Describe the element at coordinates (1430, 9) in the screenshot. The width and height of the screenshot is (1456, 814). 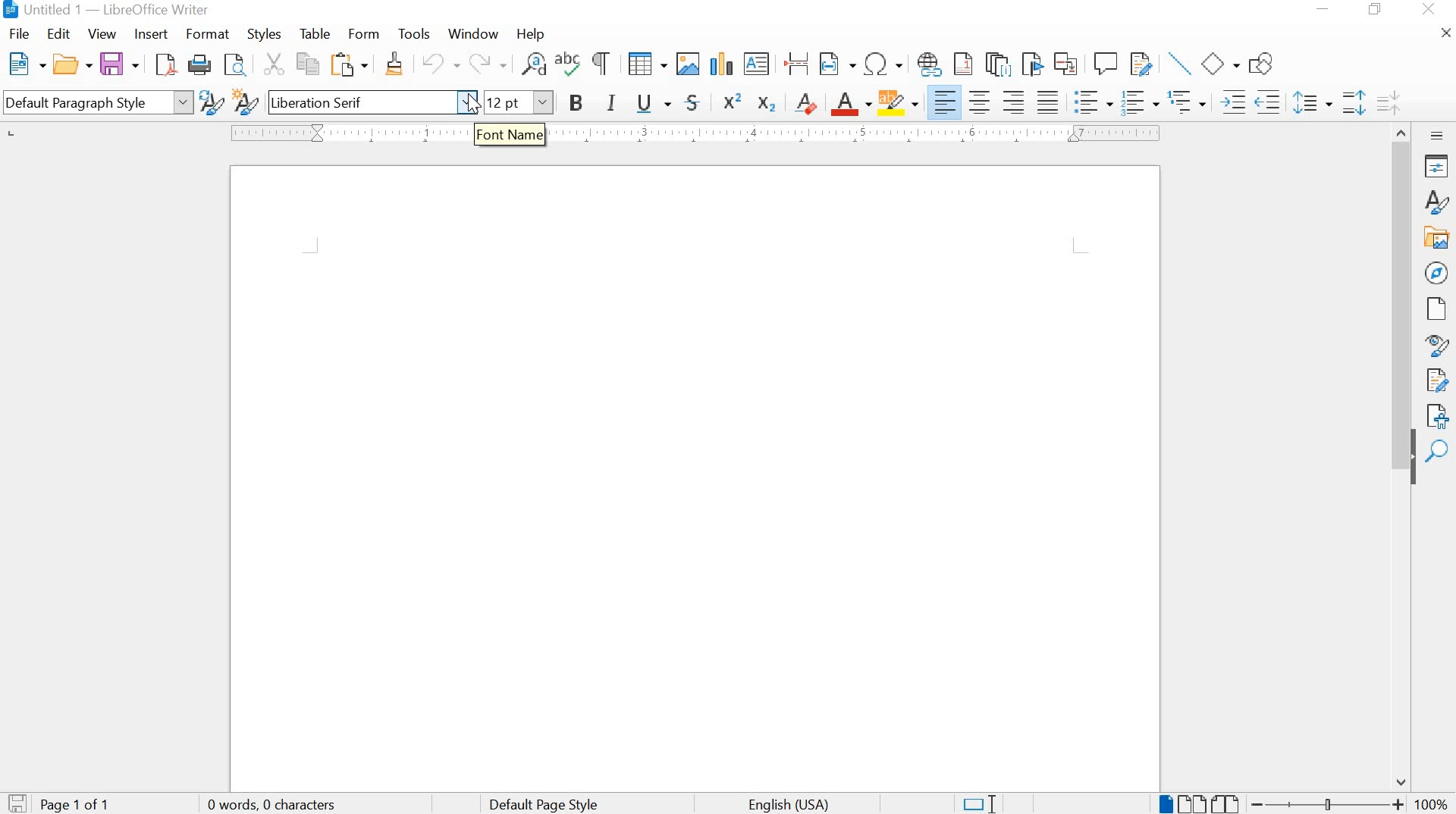
I see `CLOSE` at that location.